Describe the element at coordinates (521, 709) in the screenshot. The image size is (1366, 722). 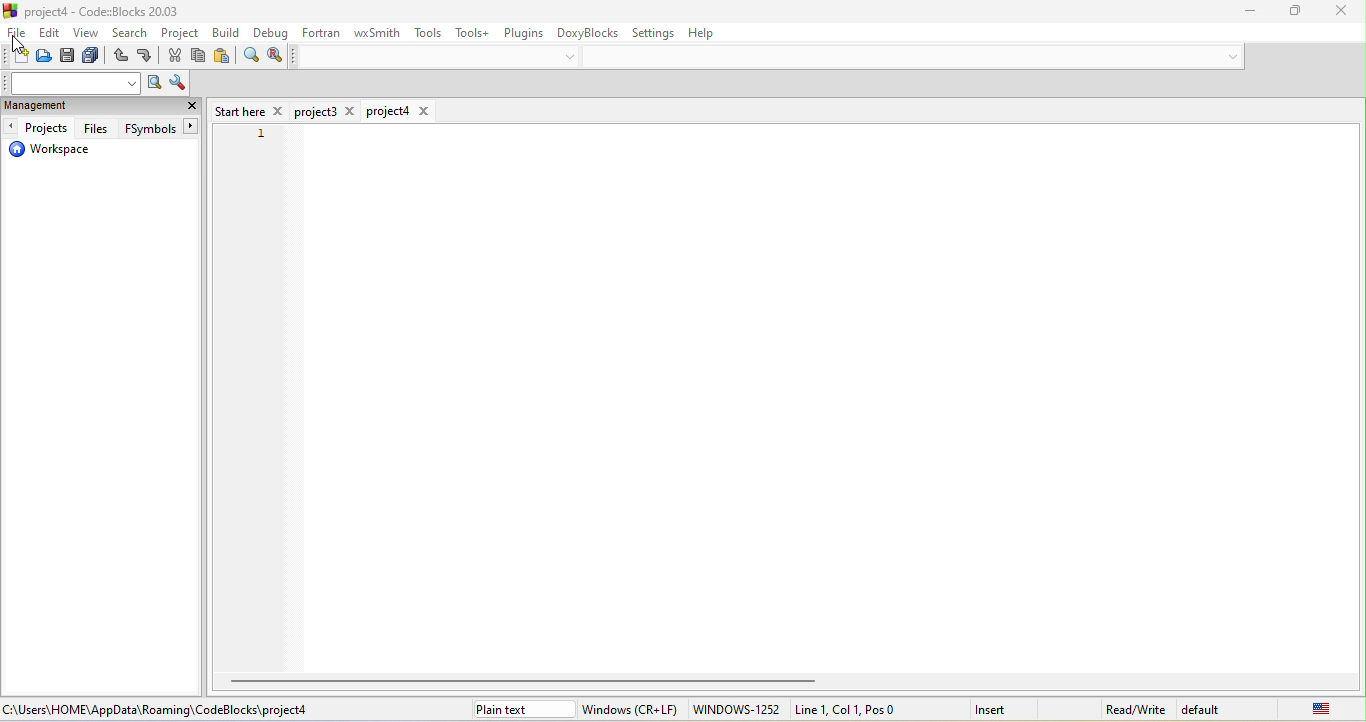
I see `plain text` at that location.